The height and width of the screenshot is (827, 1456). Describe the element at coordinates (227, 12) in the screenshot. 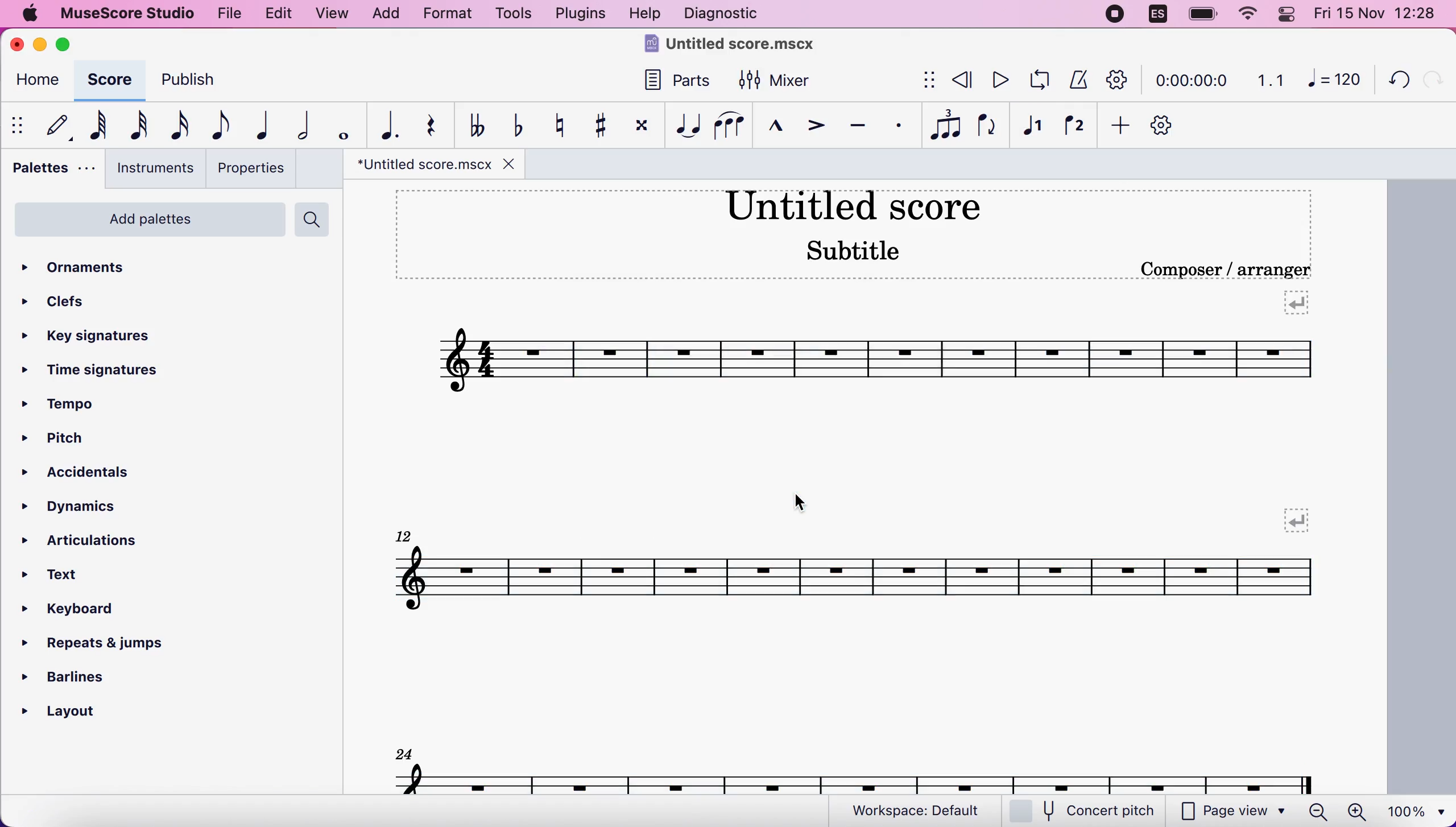

I see `file` at that location.